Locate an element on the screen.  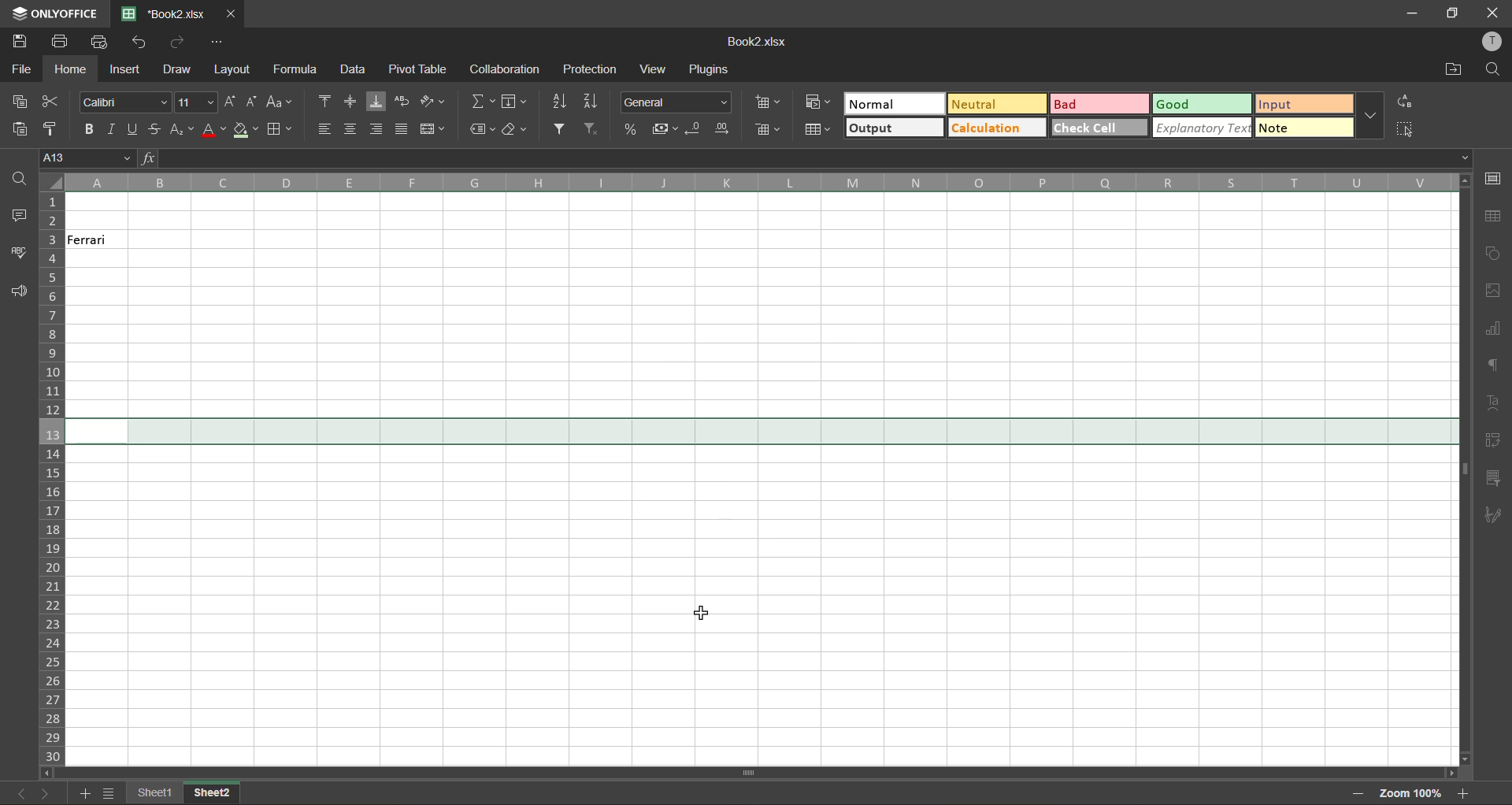
sub/superscript is located at coordinates (182, 128).